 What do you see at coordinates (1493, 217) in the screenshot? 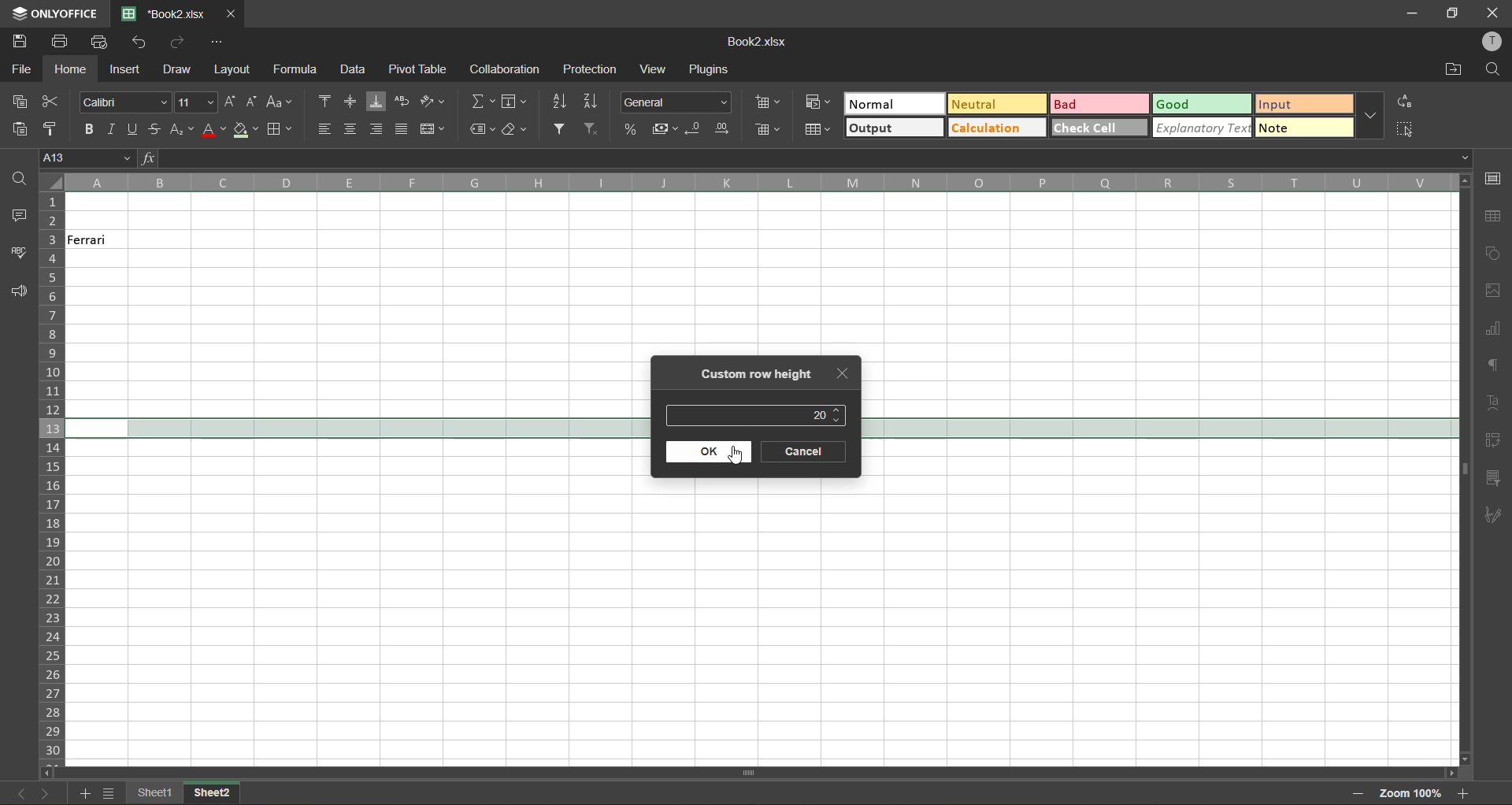
I see `table` at bounding box center [1493, 217].